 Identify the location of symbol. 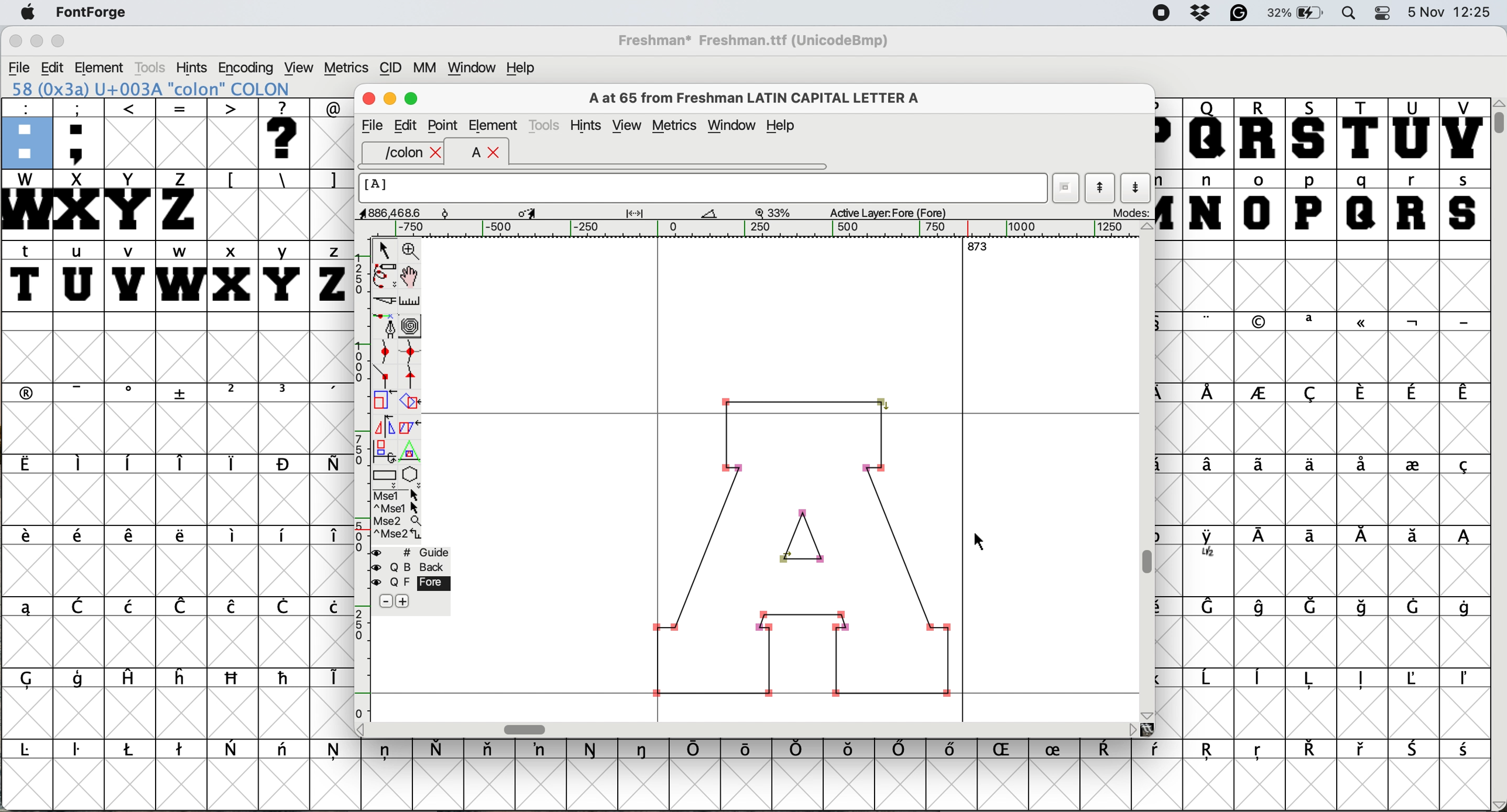
(35, 679).